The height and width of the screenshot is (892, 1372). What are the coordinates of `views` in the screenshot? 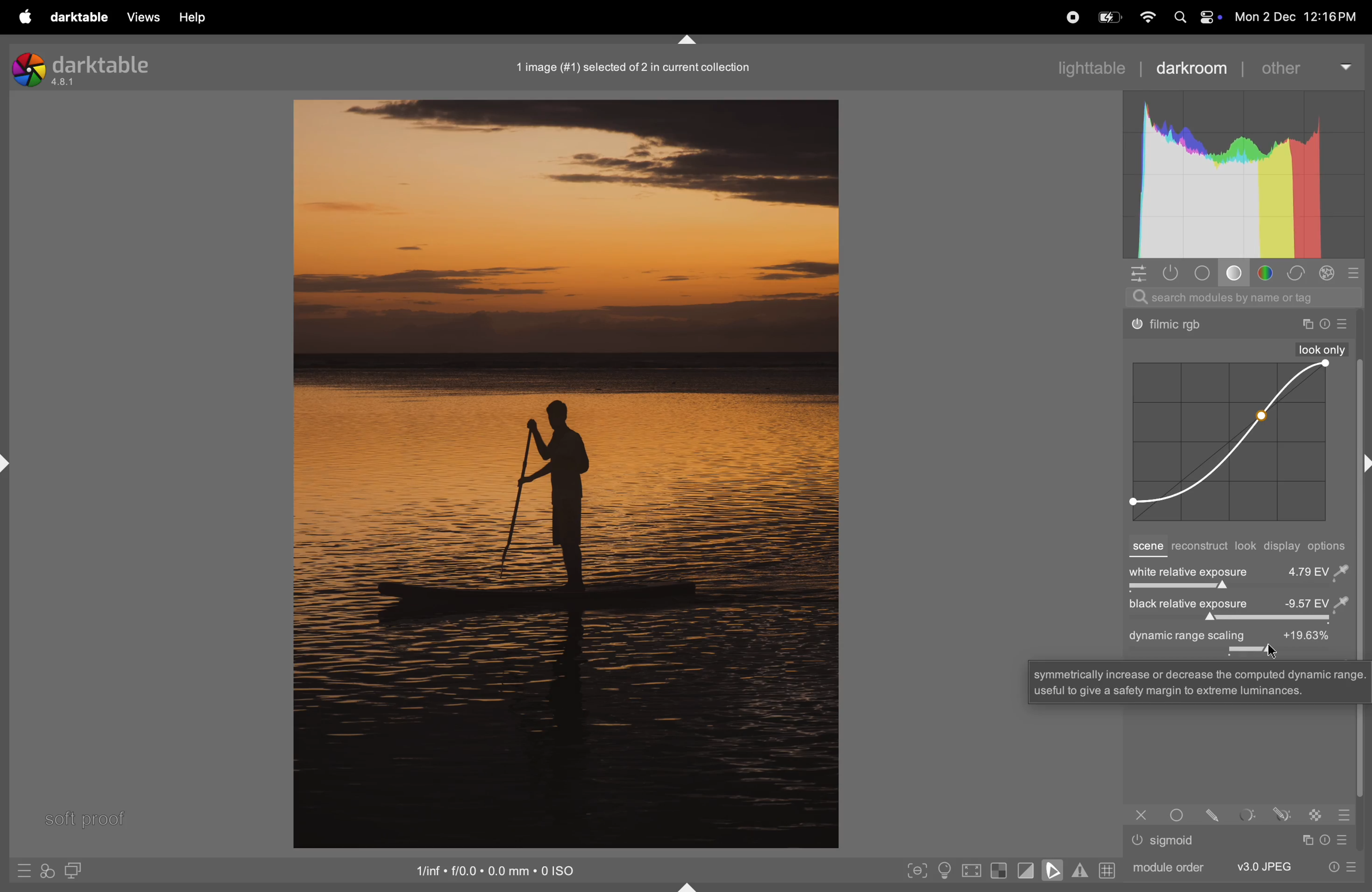 It's located at (140, 17).